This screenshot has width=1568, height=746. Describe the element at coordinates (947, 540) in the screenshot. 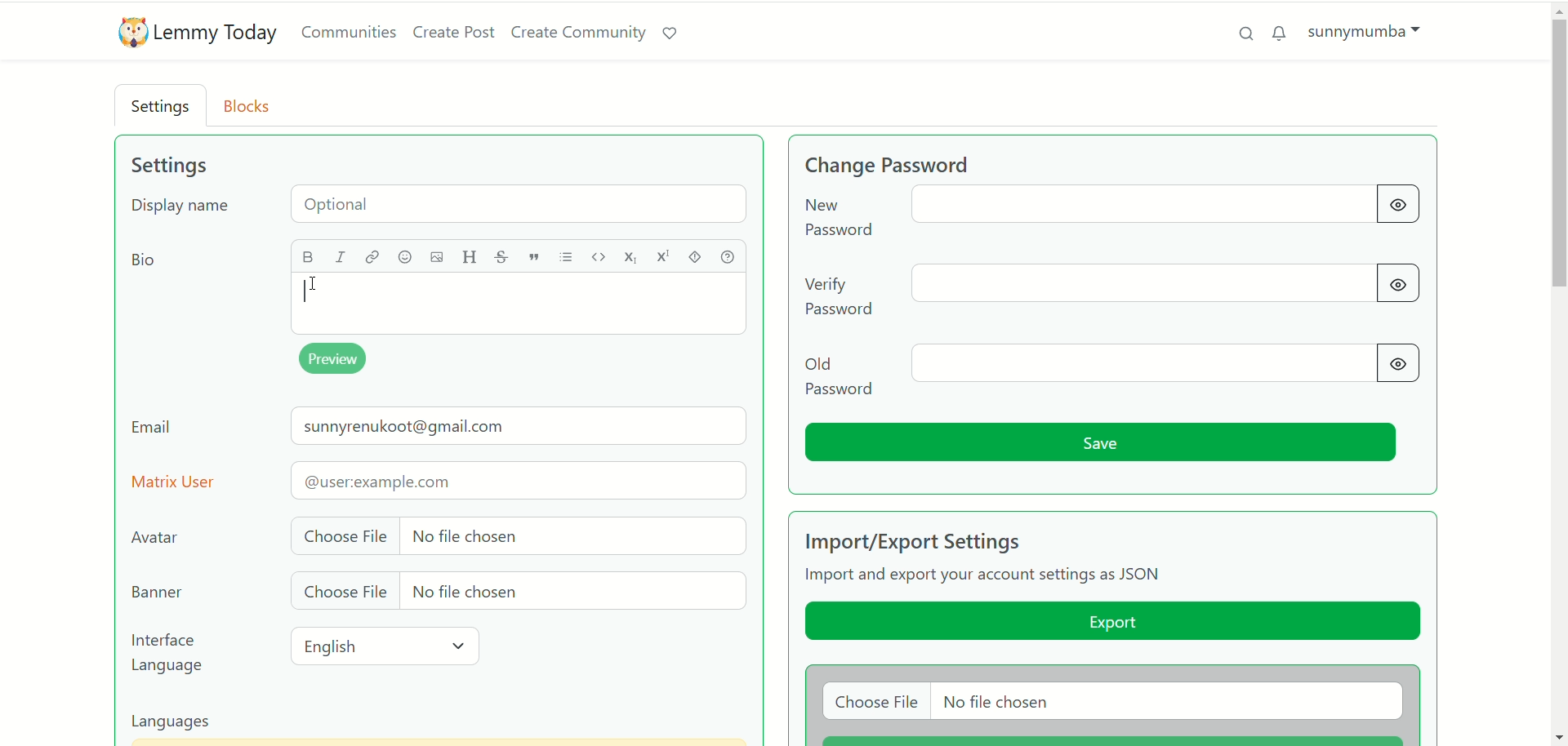

I see `import/export settings` at that location.